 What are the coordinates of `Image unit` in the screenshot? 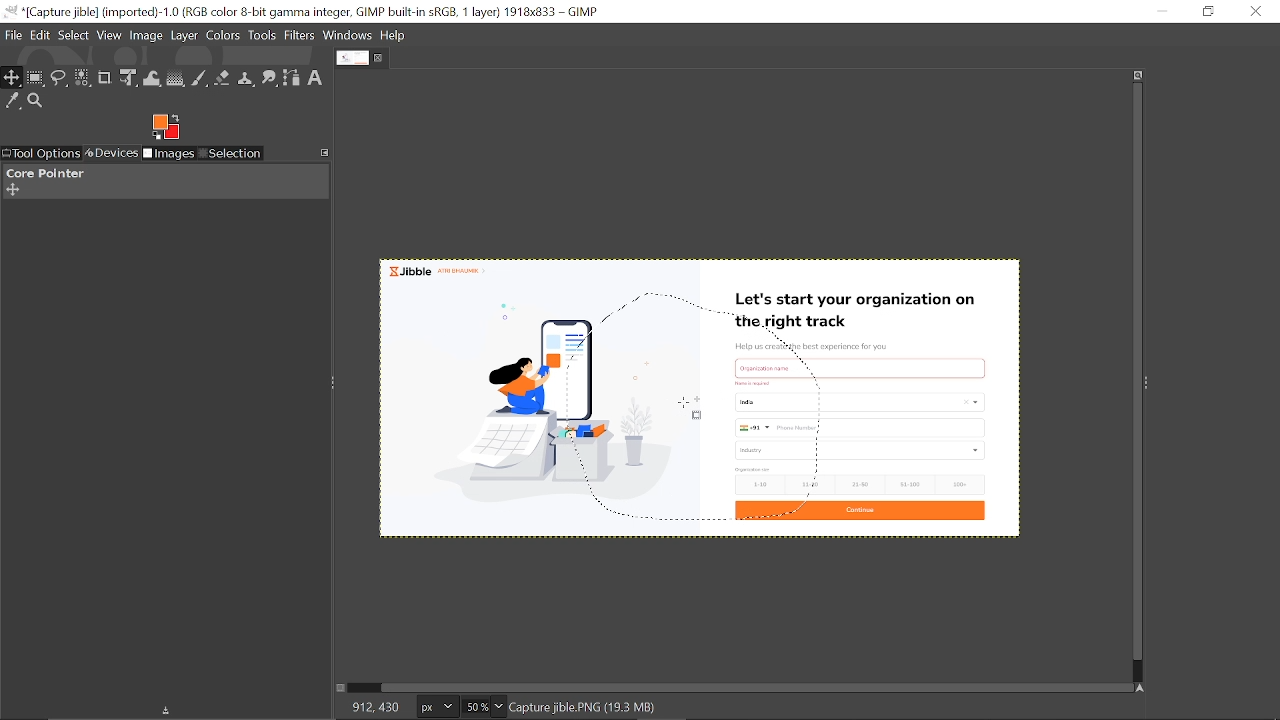 It's located at (438, 708).